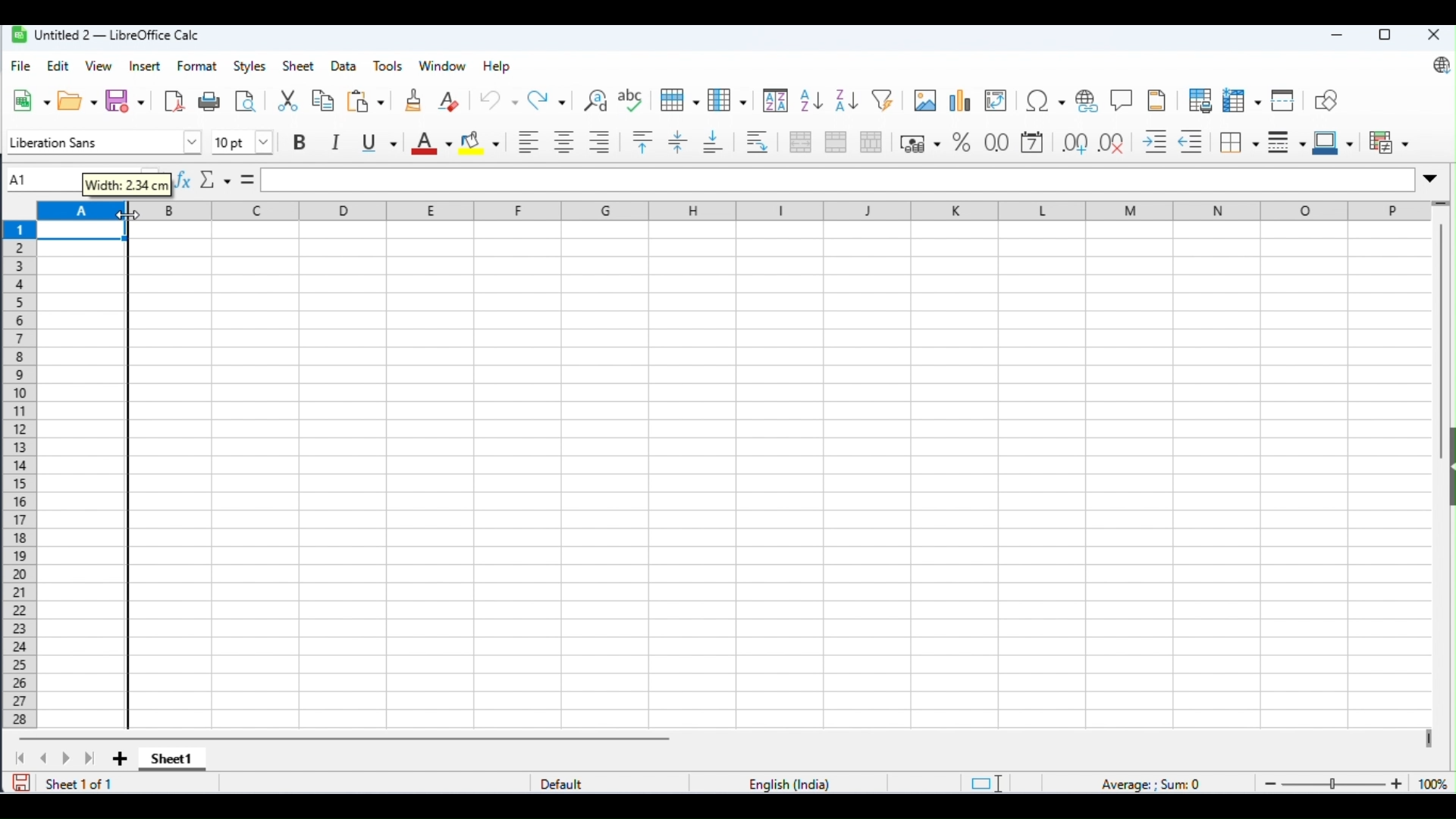 The width and height of the screenshot is (1456, 819). Describe the element at coordinates (1326, 99) in the screenshot. I see `show draw functions` at that location.